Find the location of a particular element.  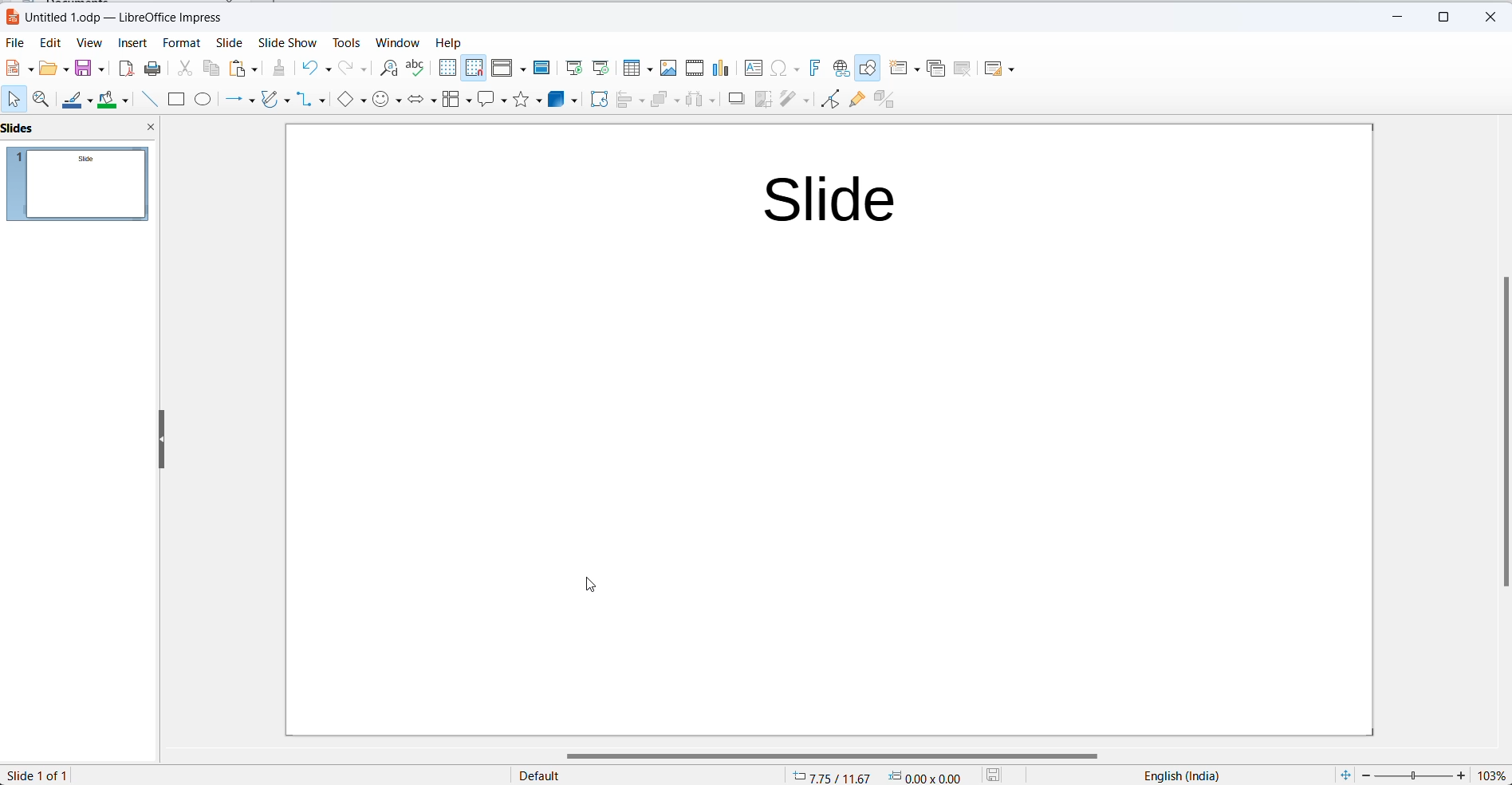

vertical scroll bar is located at coordinates (1502, 433).